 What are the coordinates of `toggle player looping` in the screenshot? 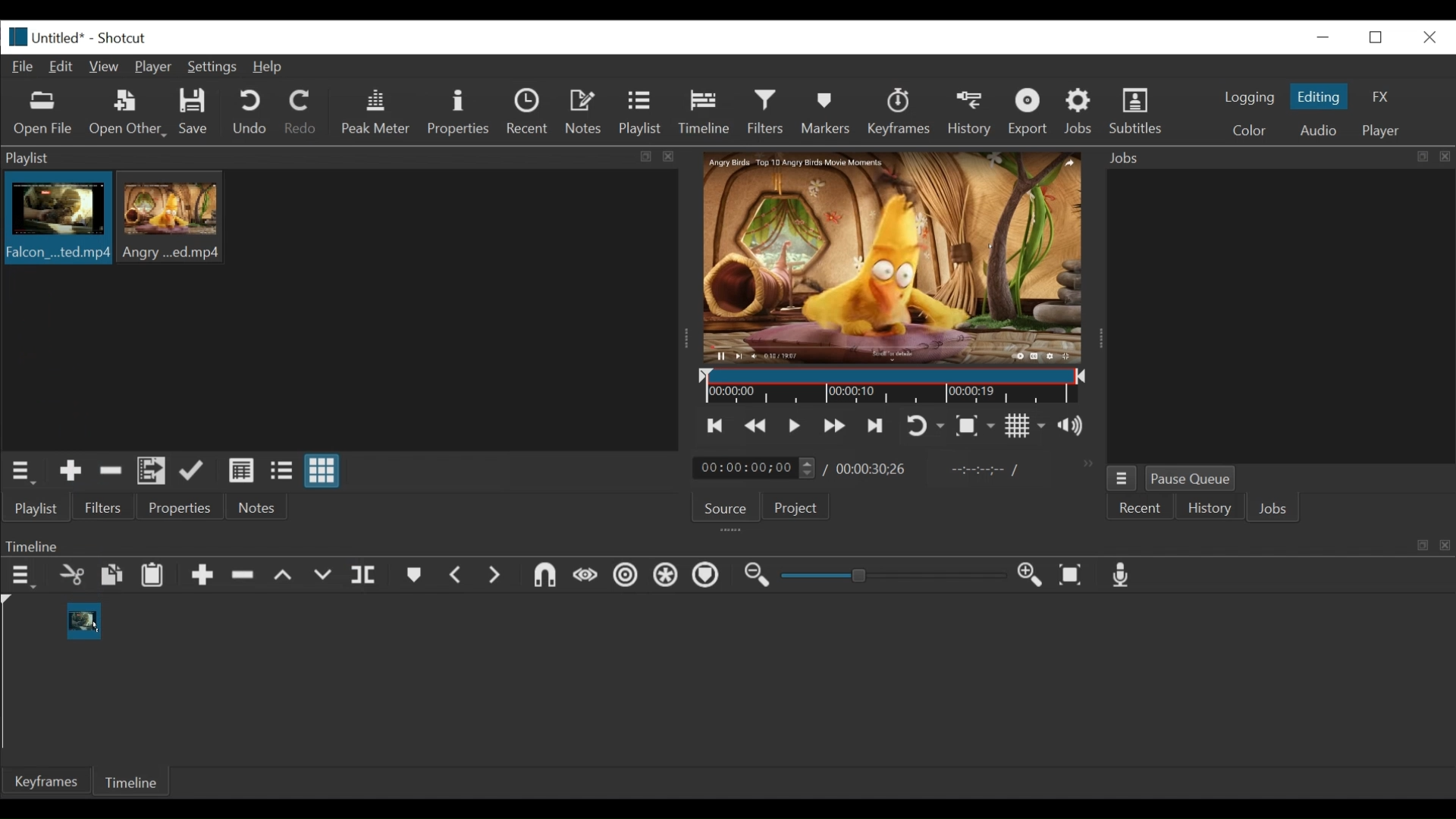 It's located at (925, 427).